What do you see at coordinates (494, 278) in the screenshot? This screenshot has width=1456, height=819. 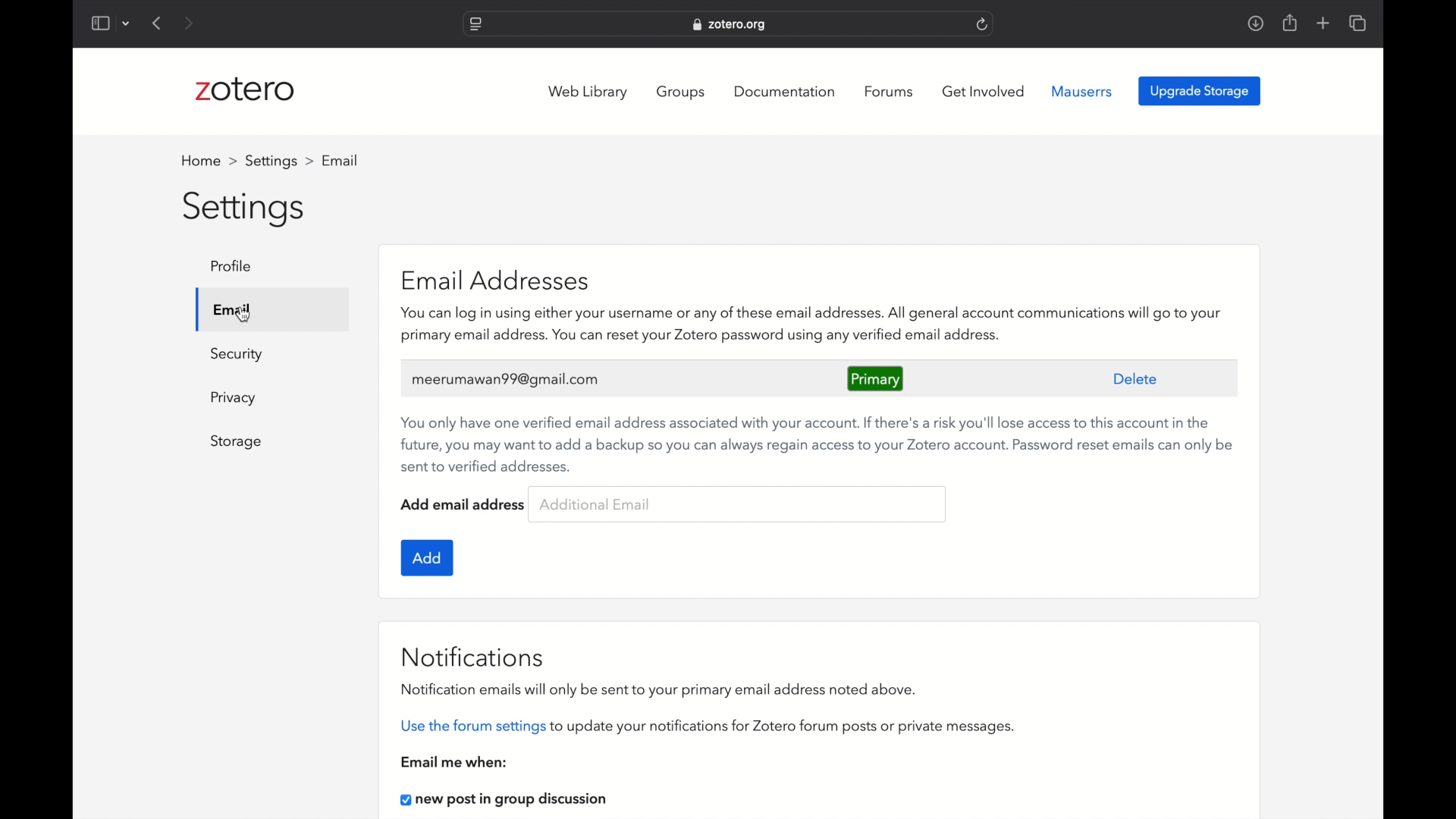 I see `email addresses` at bounding box center [494, 278].